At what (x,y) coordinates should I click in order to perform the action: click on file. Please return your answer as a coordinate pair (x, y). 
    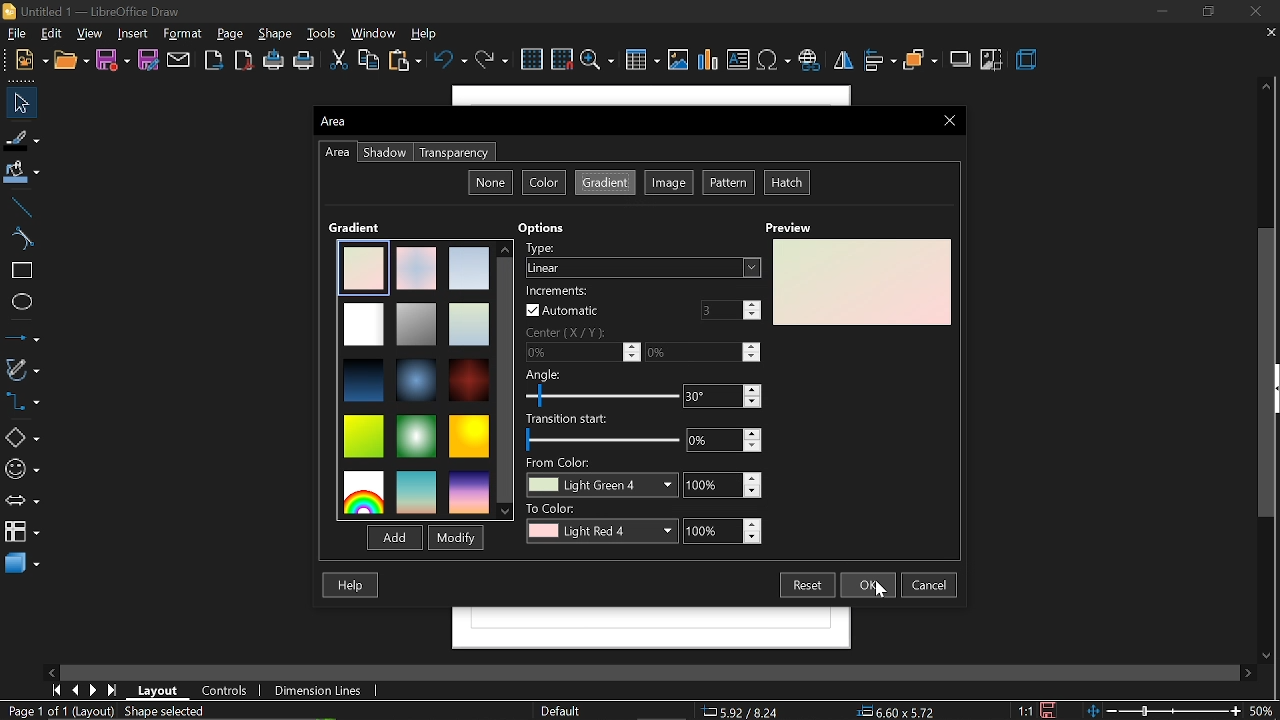
    Looking at the image, I should click on (14, 34).